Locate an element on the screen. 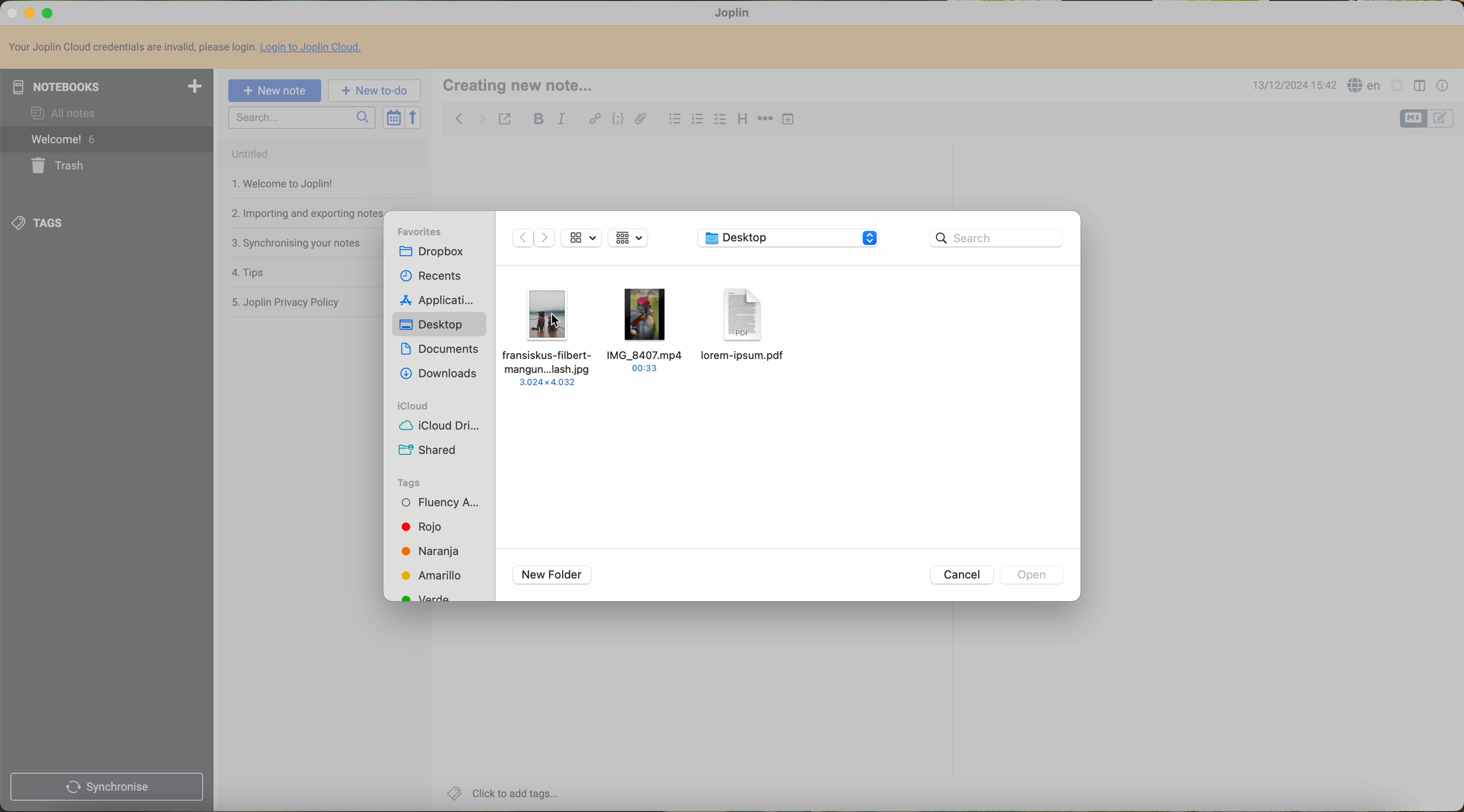  disable open button is located at coordinates (1035, 576).